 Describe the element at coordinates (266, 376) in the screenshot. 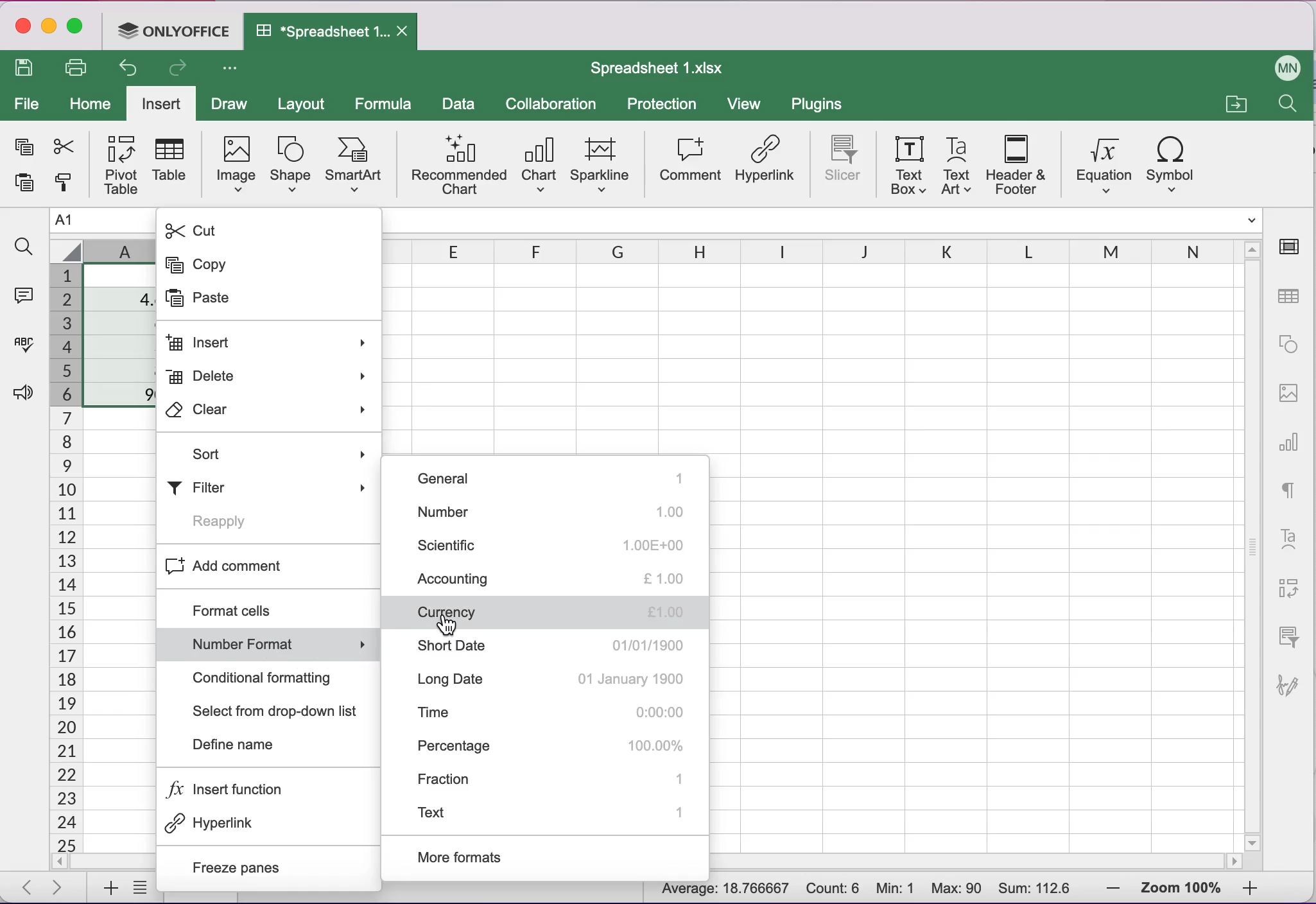

I see `Delete` at that location.